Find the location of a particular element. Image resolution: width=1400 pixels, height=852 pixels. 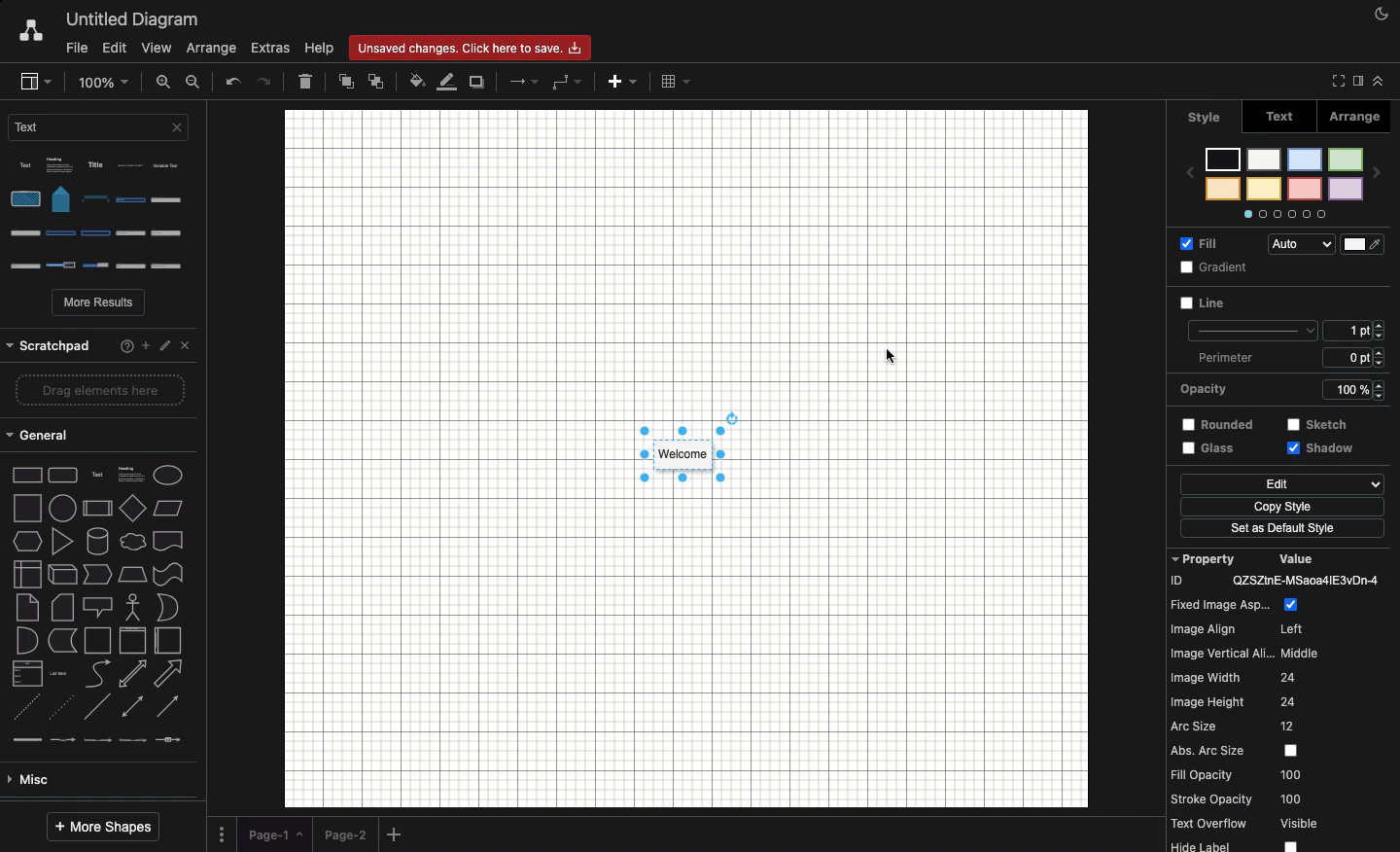

Entity relation is located at coordinates (63, 780).